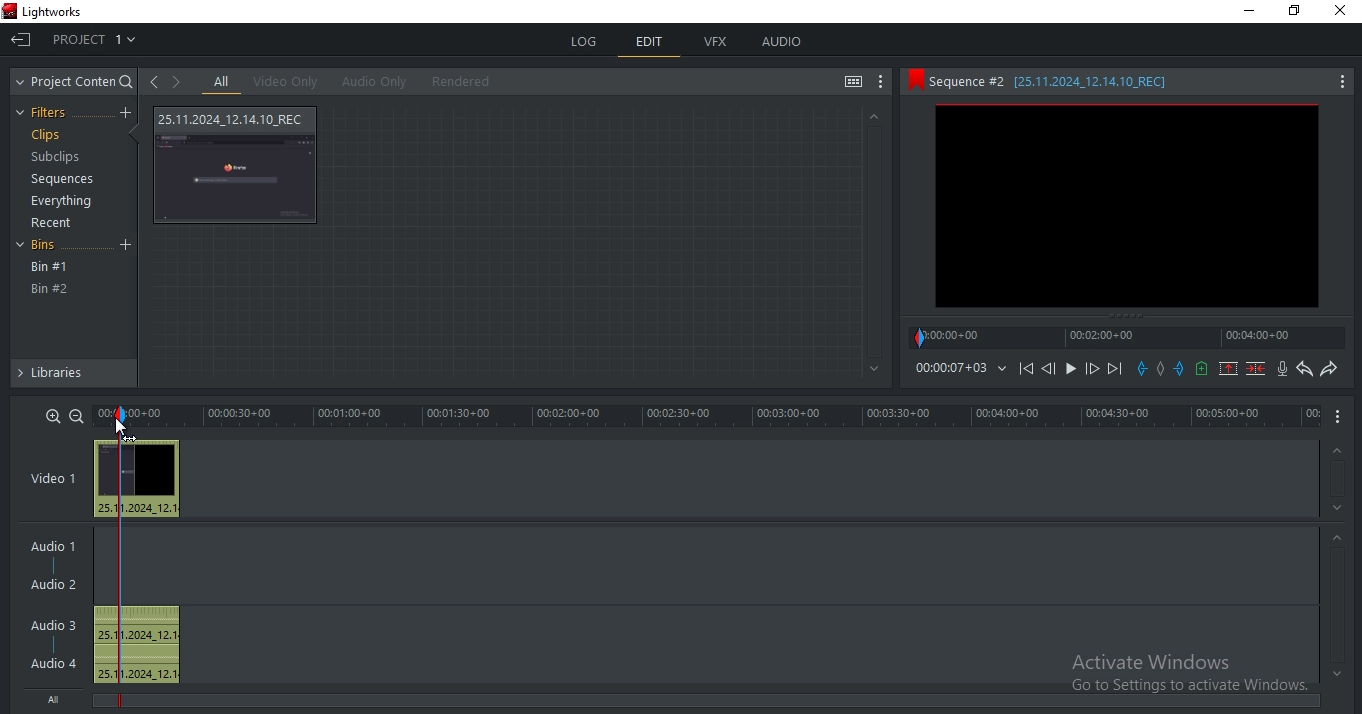 The width and height of the screenshot is (1362, 714). What do you see at coordinates (1130, 337) in the screenshot?
I see `timeline` at bounding box center [1130, 337].